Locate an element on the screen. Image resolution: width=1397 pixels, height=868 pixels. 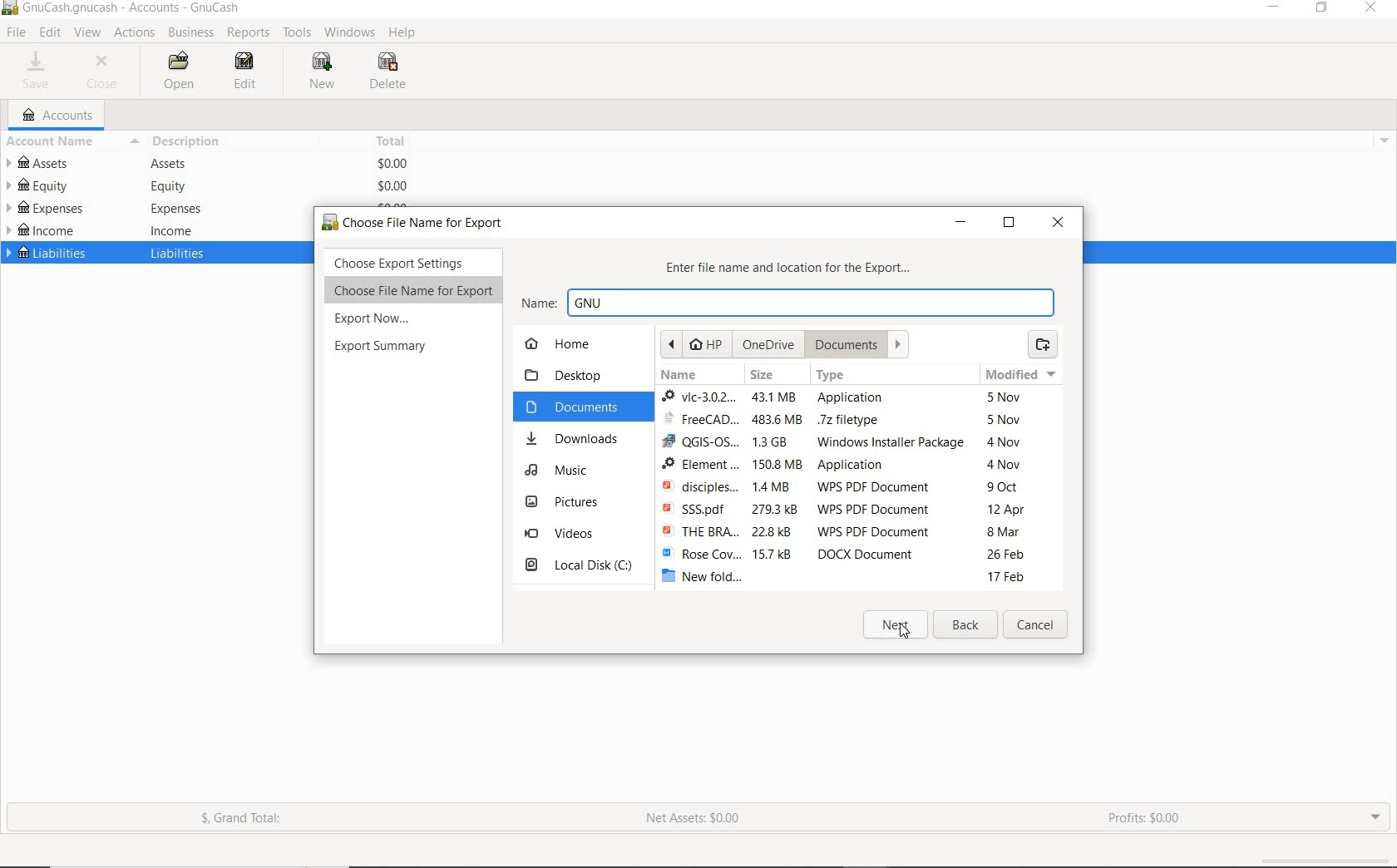
Next is located at coordinates (894, 624).